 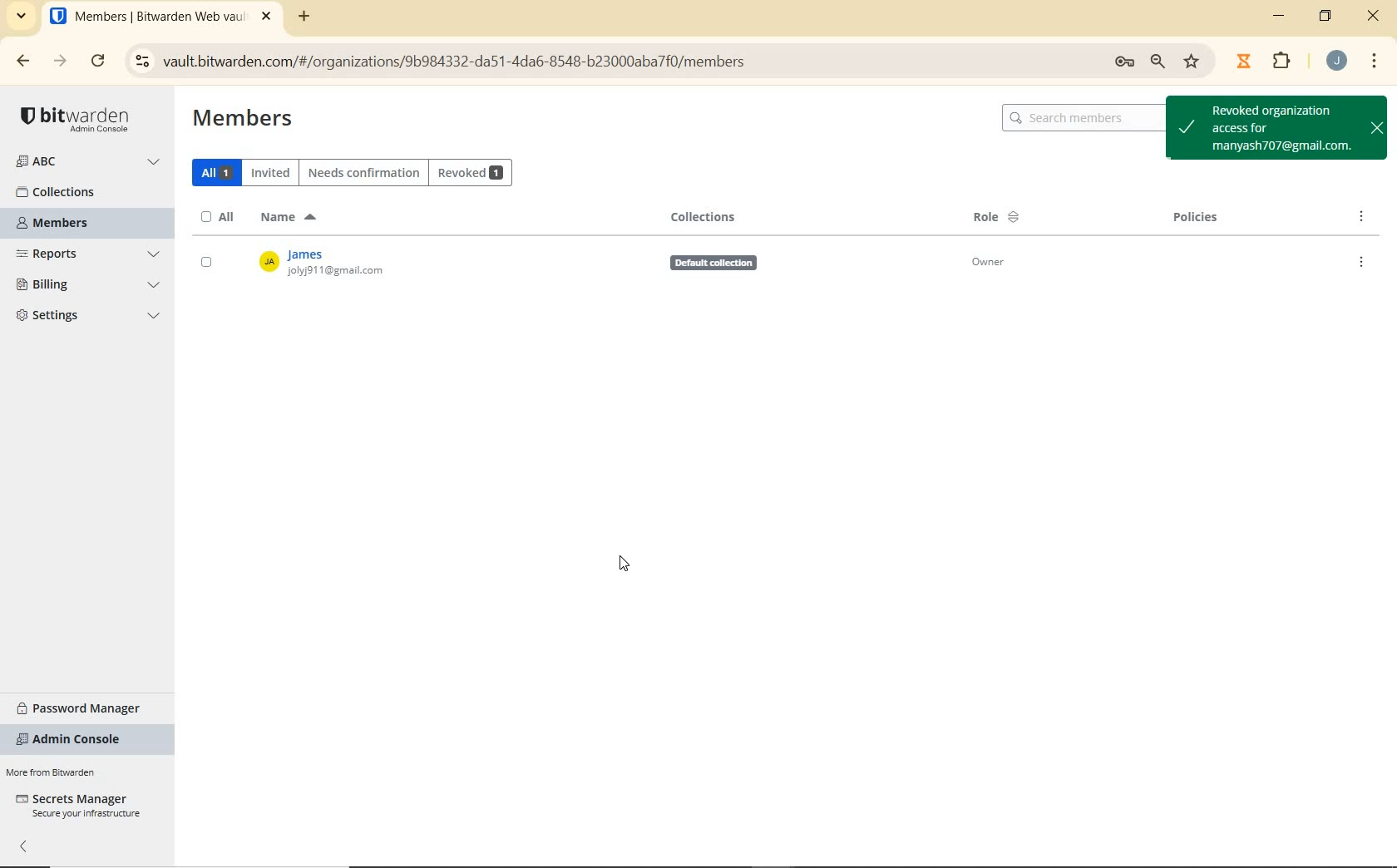 I want to click on Q search members, so click(x=1073, y=118).